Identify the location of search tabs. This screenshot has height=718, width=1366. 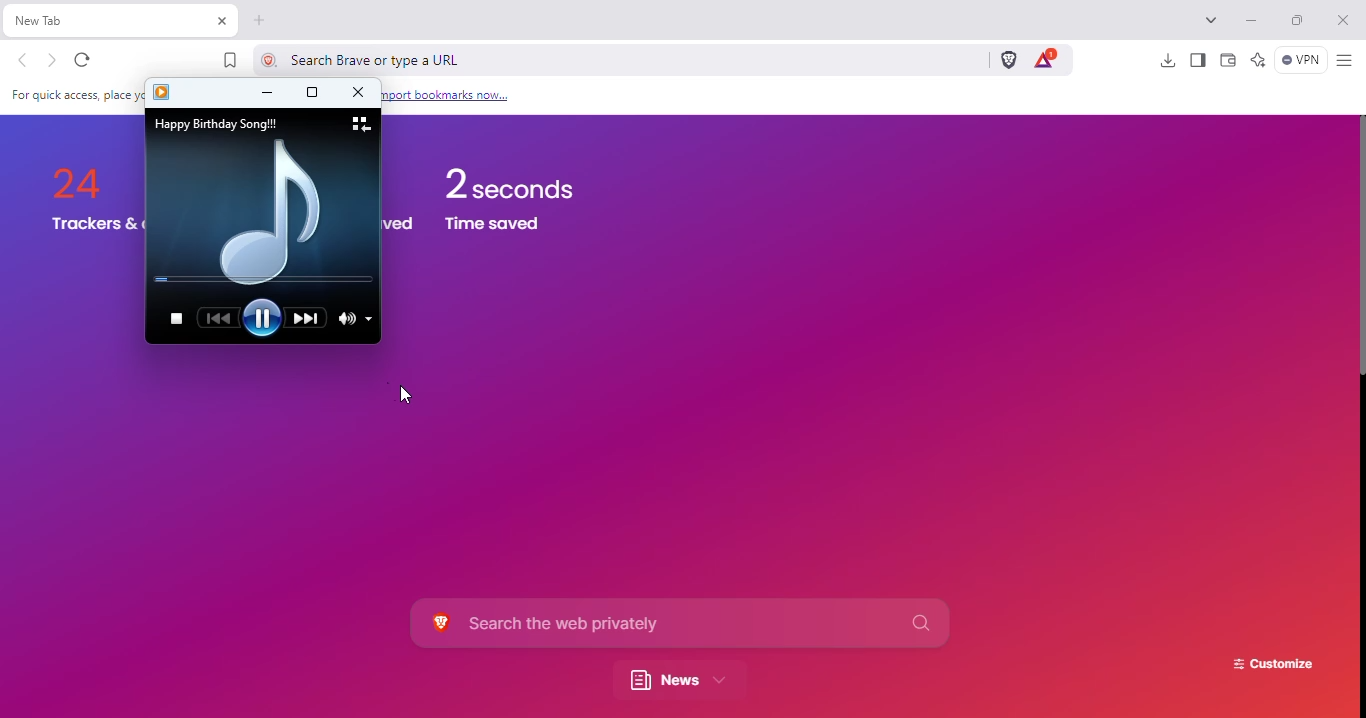
(1211, 19).